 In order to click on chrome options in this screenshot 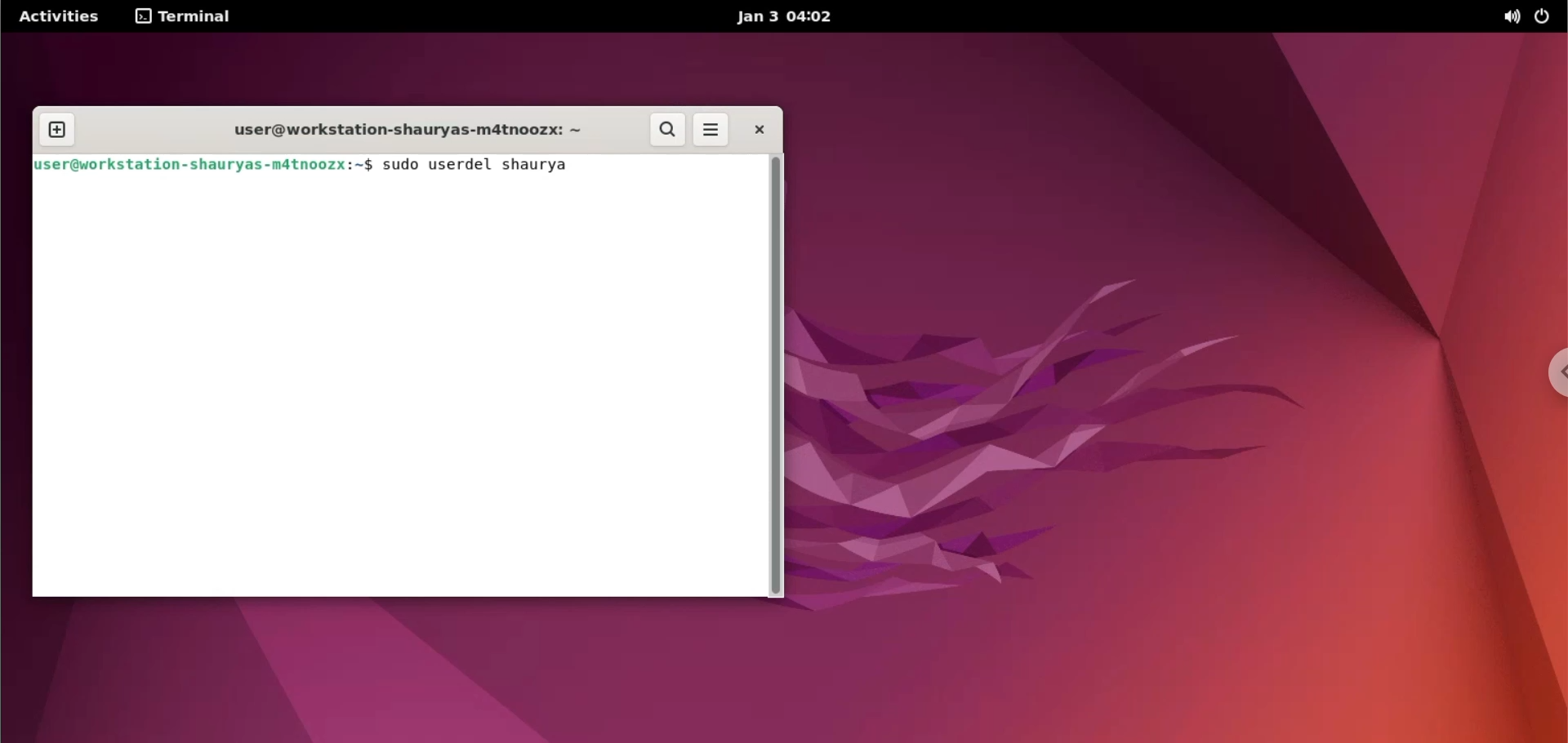, I will do `click(1543, 369)`.